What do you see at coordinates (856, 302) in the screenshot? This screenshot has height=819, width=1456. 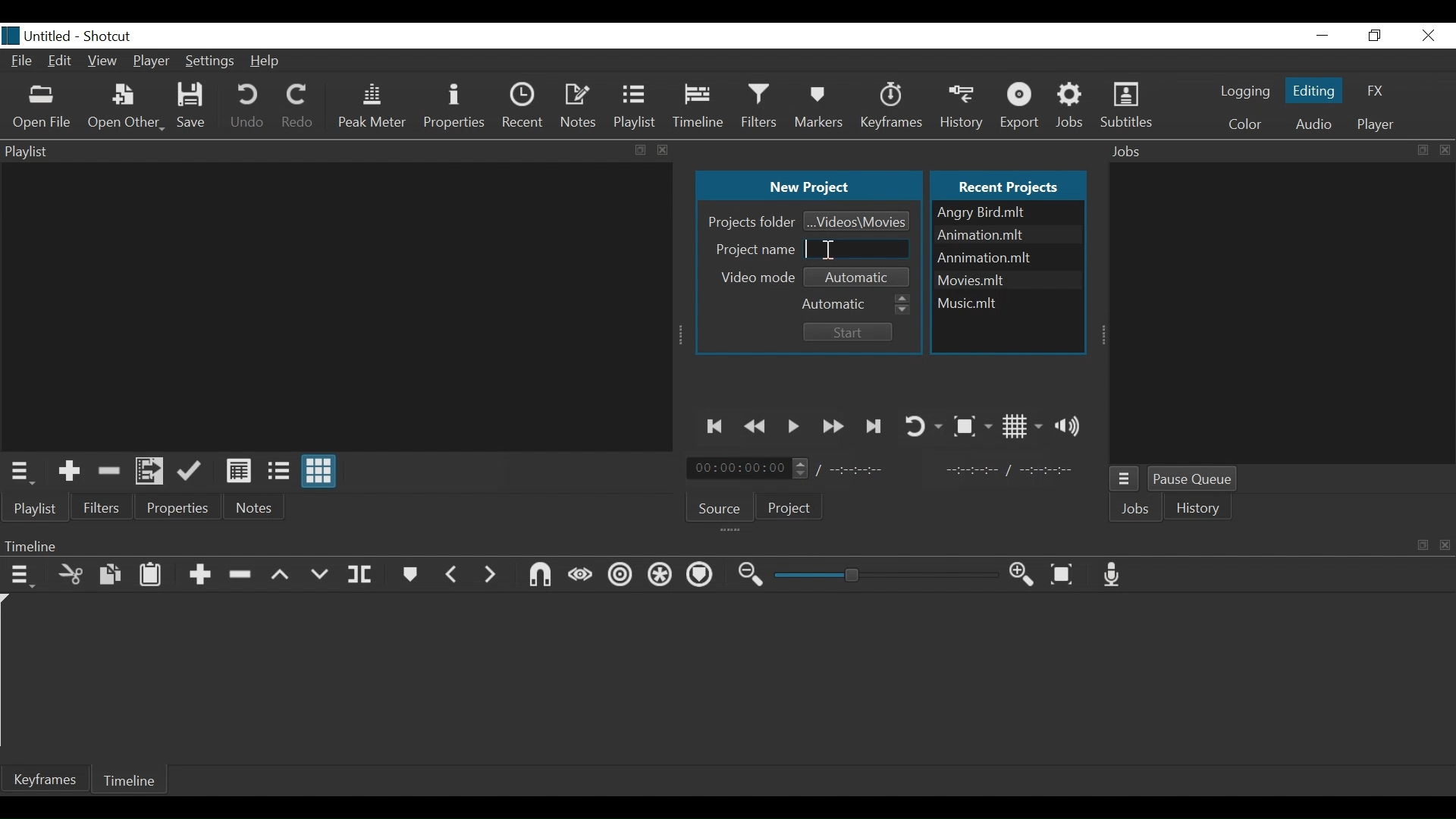 I see `Automatic` at bounding box center [856, 302].